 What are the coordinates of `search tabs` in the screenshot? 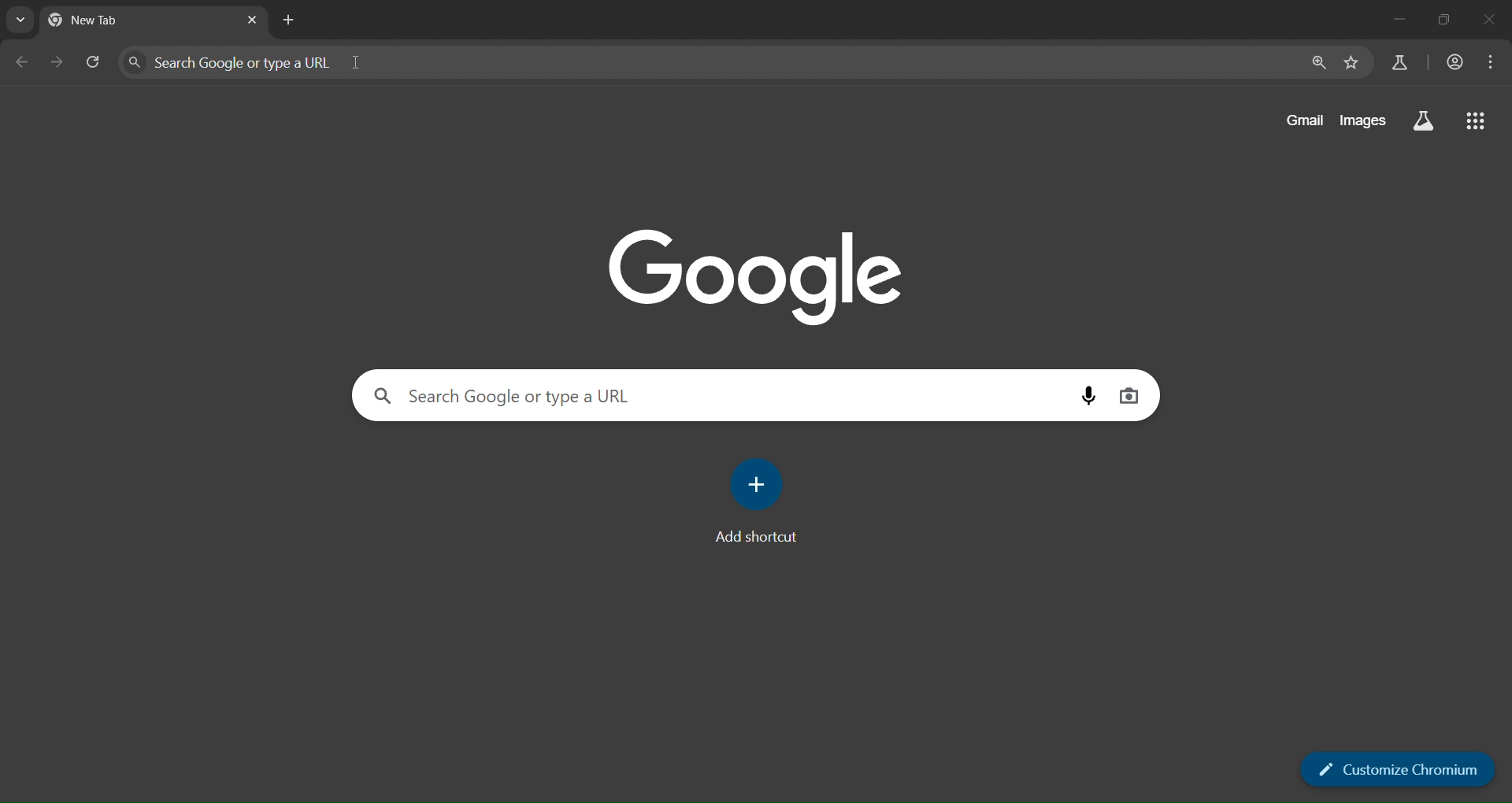 It's located at (23, 20).